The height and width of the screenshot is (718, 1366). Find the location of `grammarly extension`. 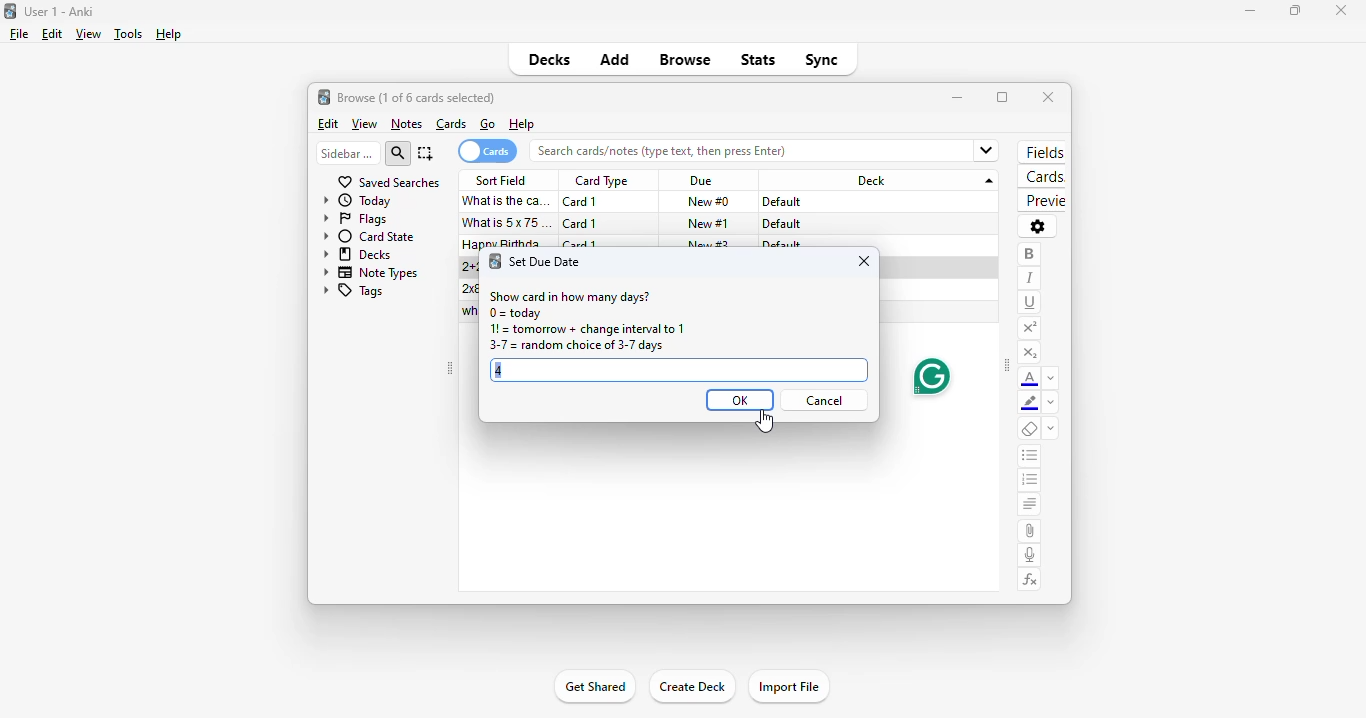

grammarly extension is located at coordinates (930, 377).